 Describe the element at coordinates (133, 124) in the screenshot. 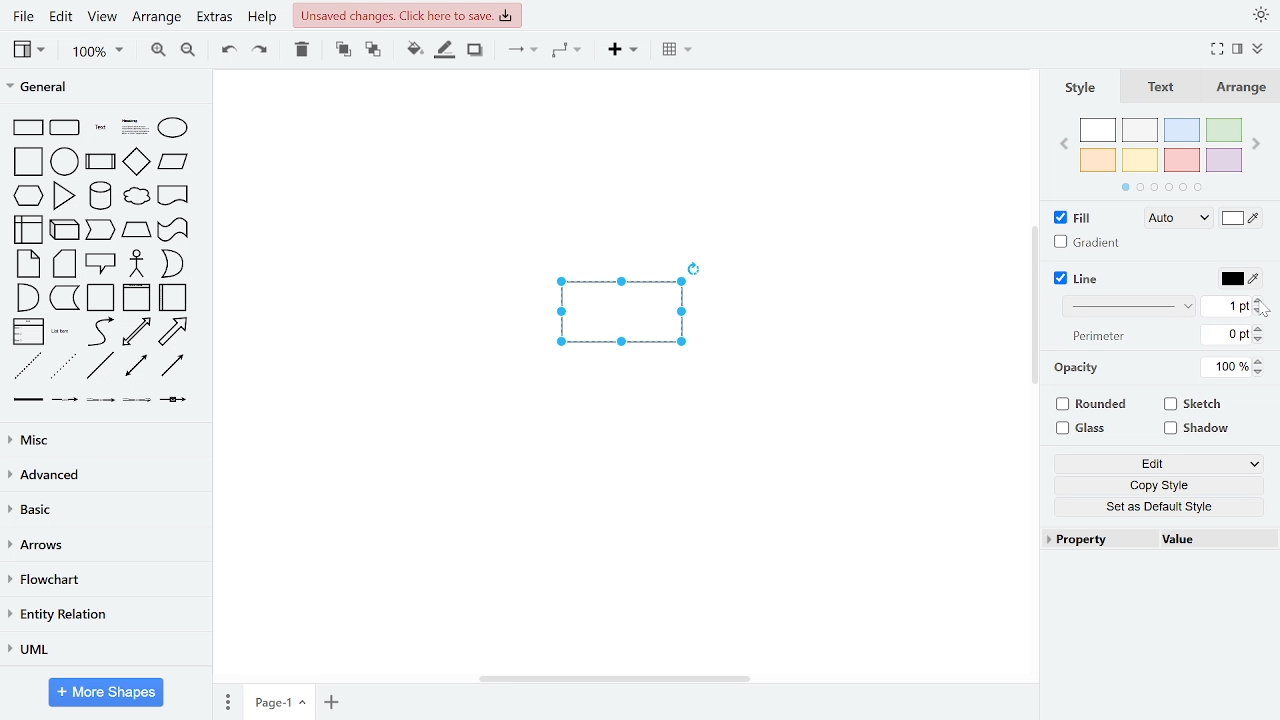

I see `general shapes` at that location.